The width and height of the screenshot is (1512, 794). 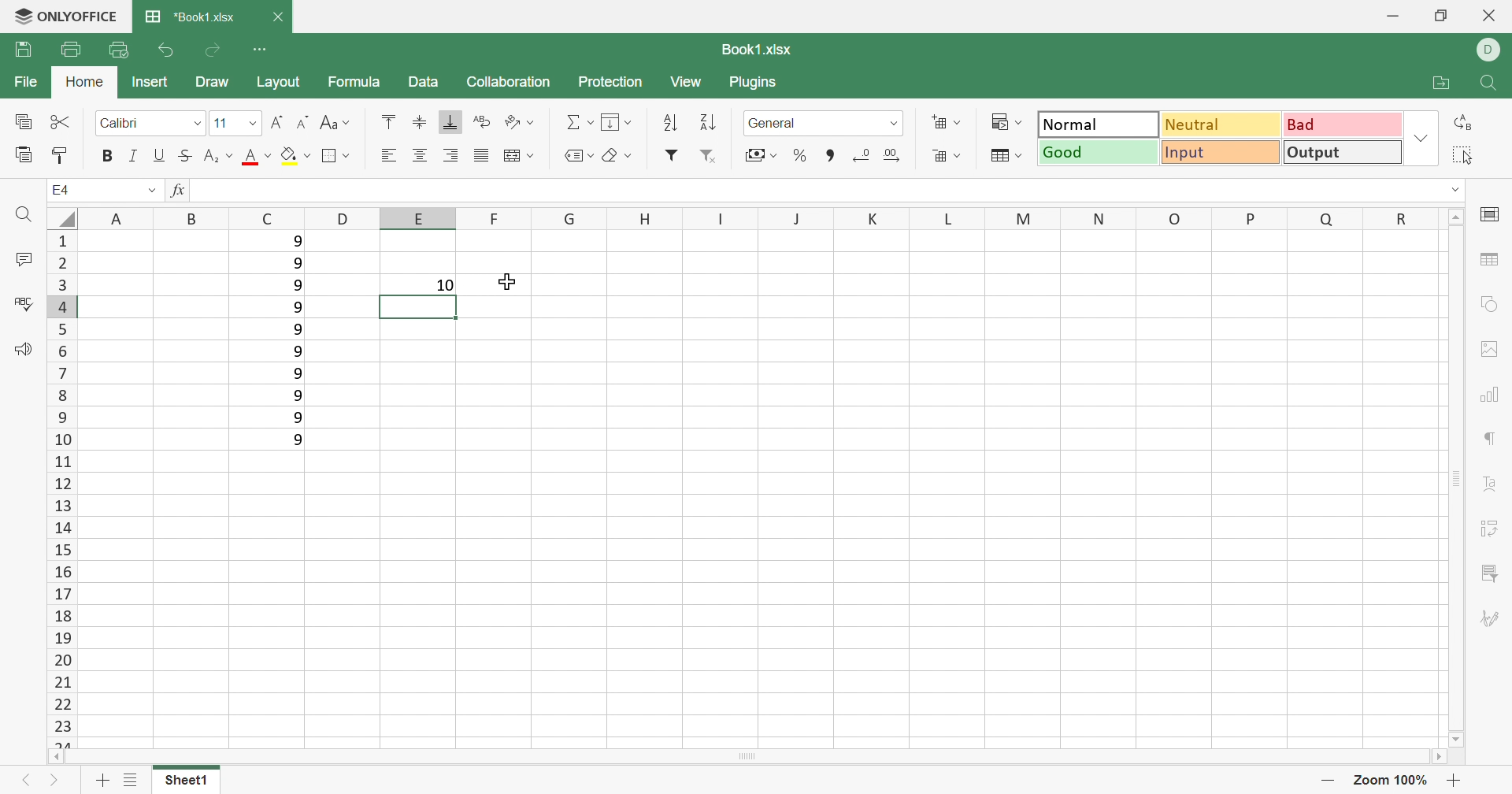 What do you see at coordinates (336, 123) in the screenshot?
I see `Change case` at bounding box center [336, 123].